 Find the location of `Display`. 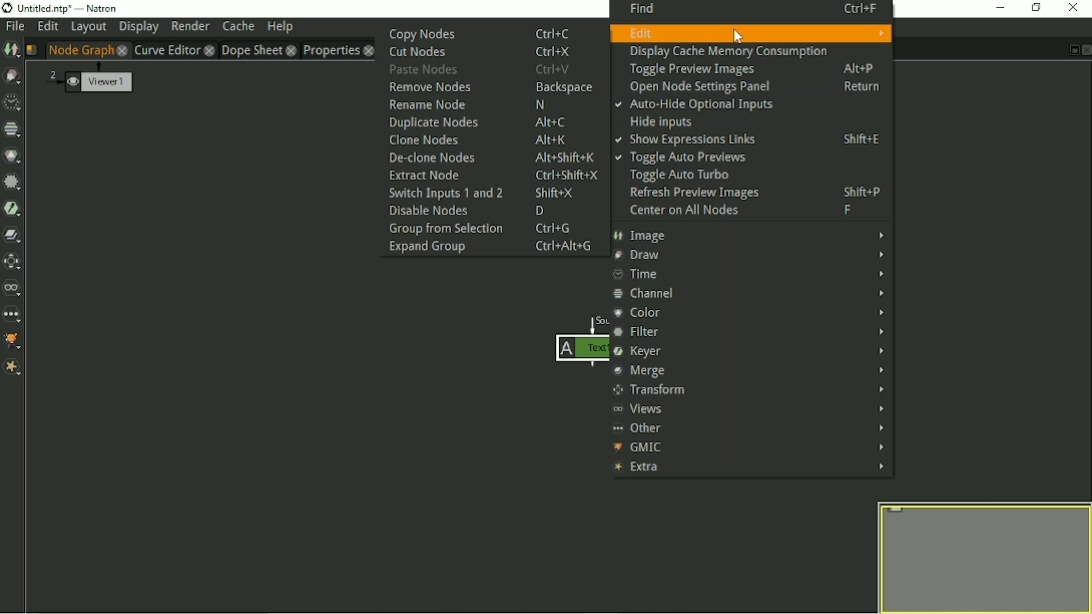

Display is located at coordinates (138, 28).